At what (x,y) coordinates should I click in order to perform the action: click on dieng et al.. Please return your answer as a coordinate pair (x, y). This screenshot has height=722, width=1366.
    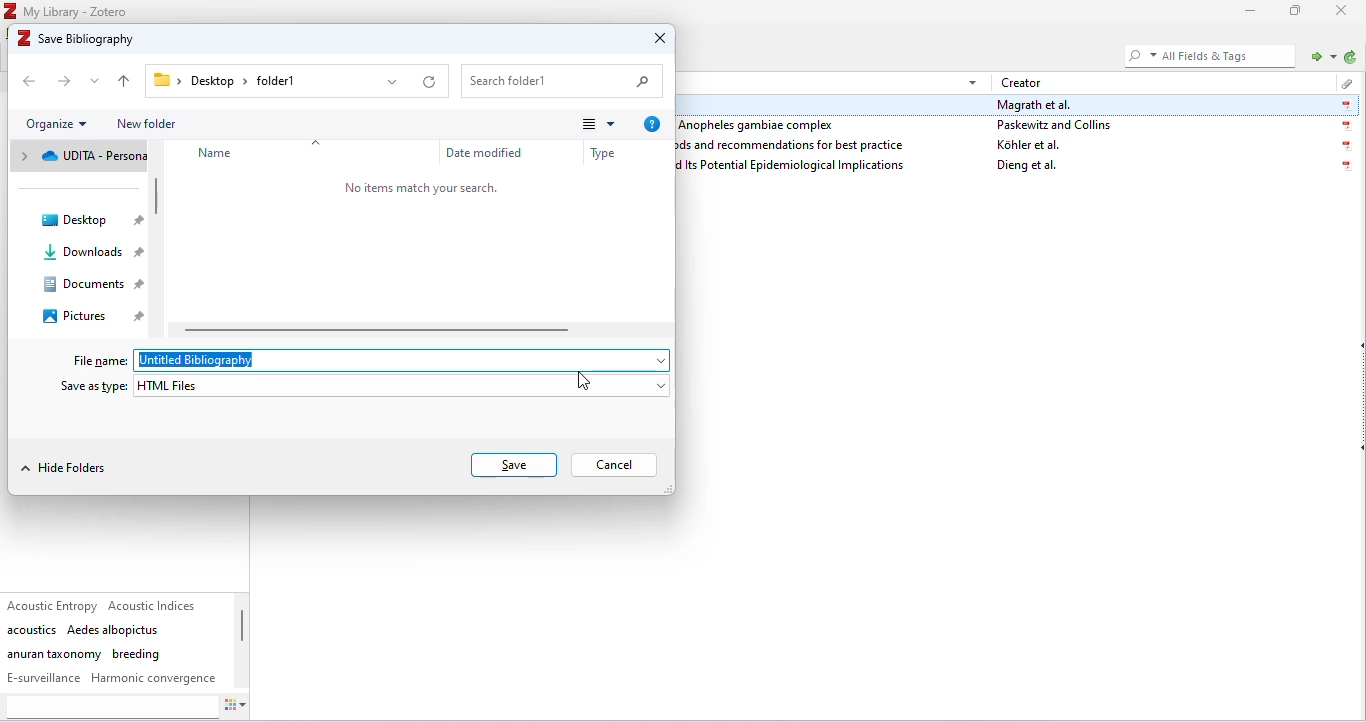
    Looking at the image, I should click on (1028, 167).